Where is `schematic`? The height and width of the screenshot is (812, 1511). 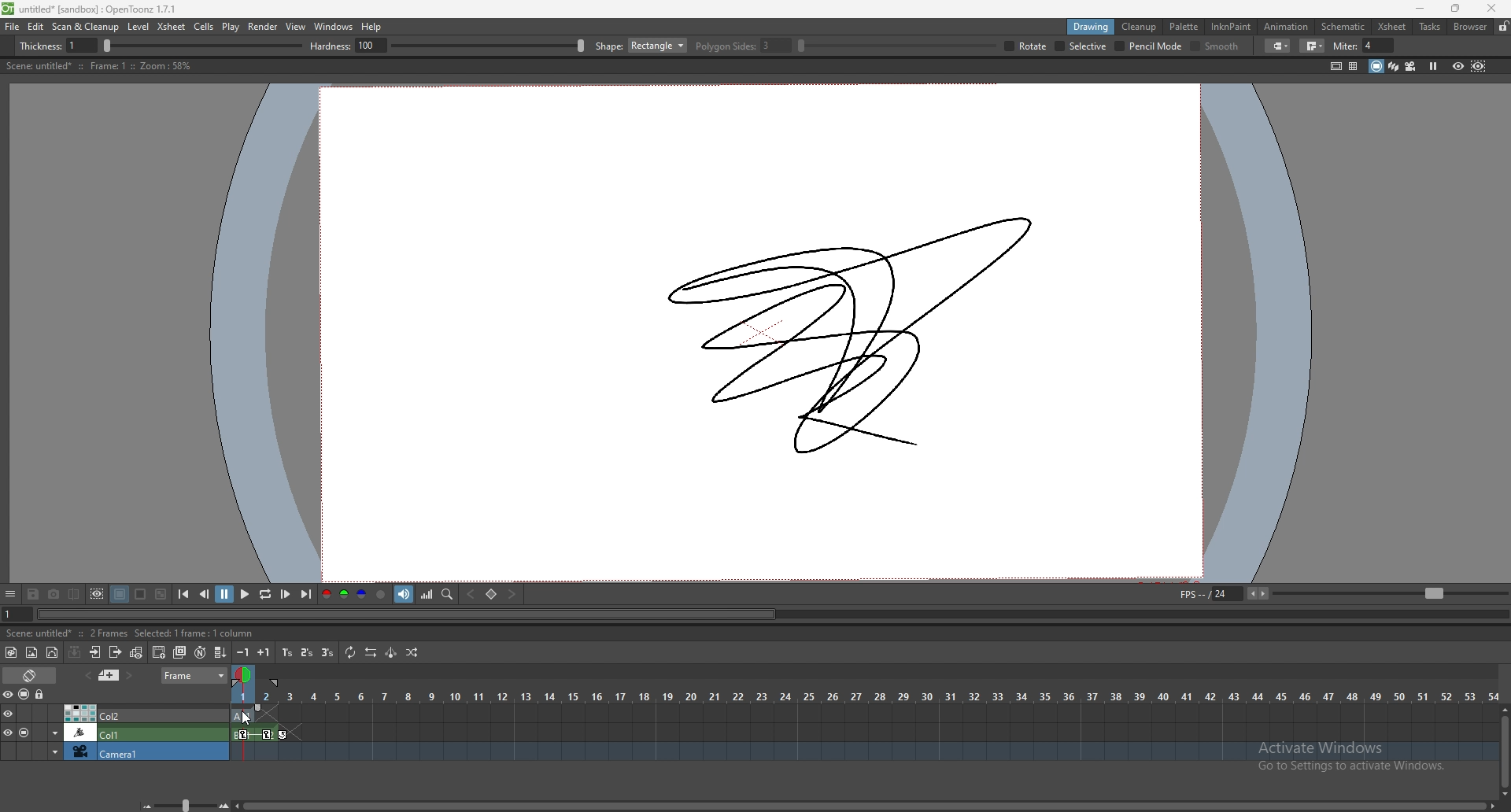 schematic is located at coordinates (1343, 25).